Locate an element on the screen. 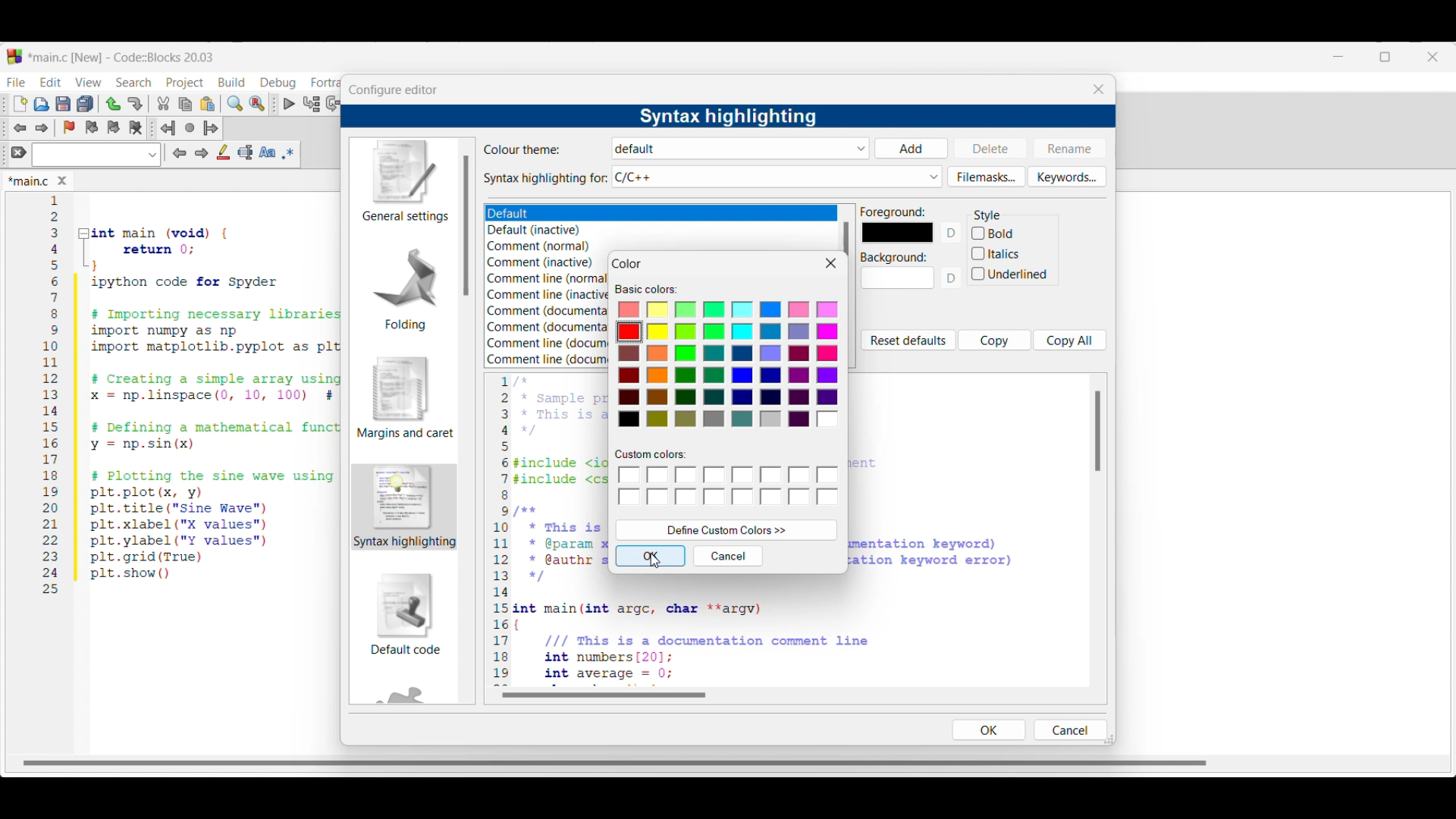  Theme options is located at coordinates (742, 149).